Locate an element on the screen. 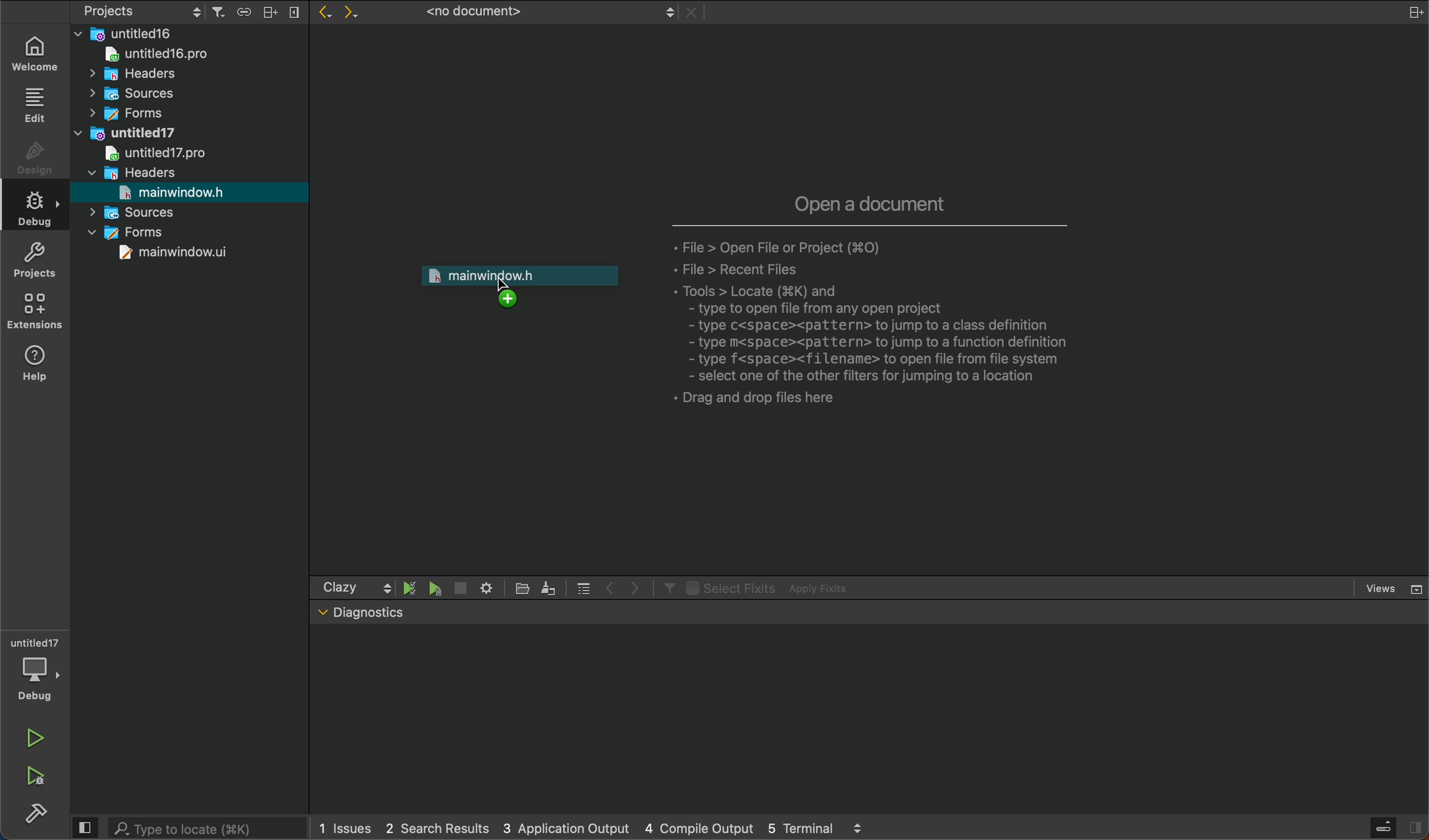  EDIT is located at coordinates (37, 105).